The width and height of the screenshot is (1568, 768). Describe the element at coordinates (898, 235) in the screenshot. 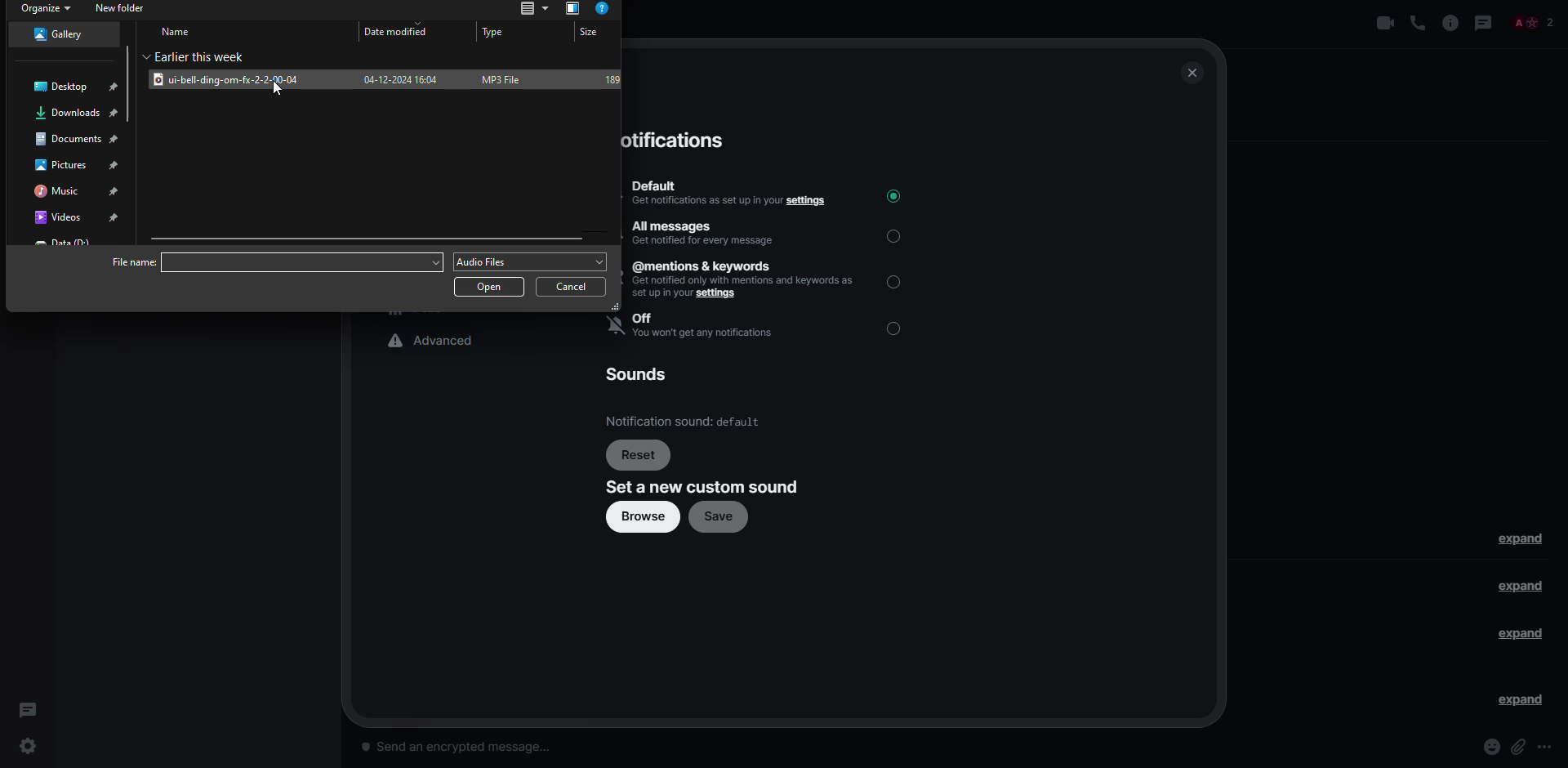

I see `select` at that location.